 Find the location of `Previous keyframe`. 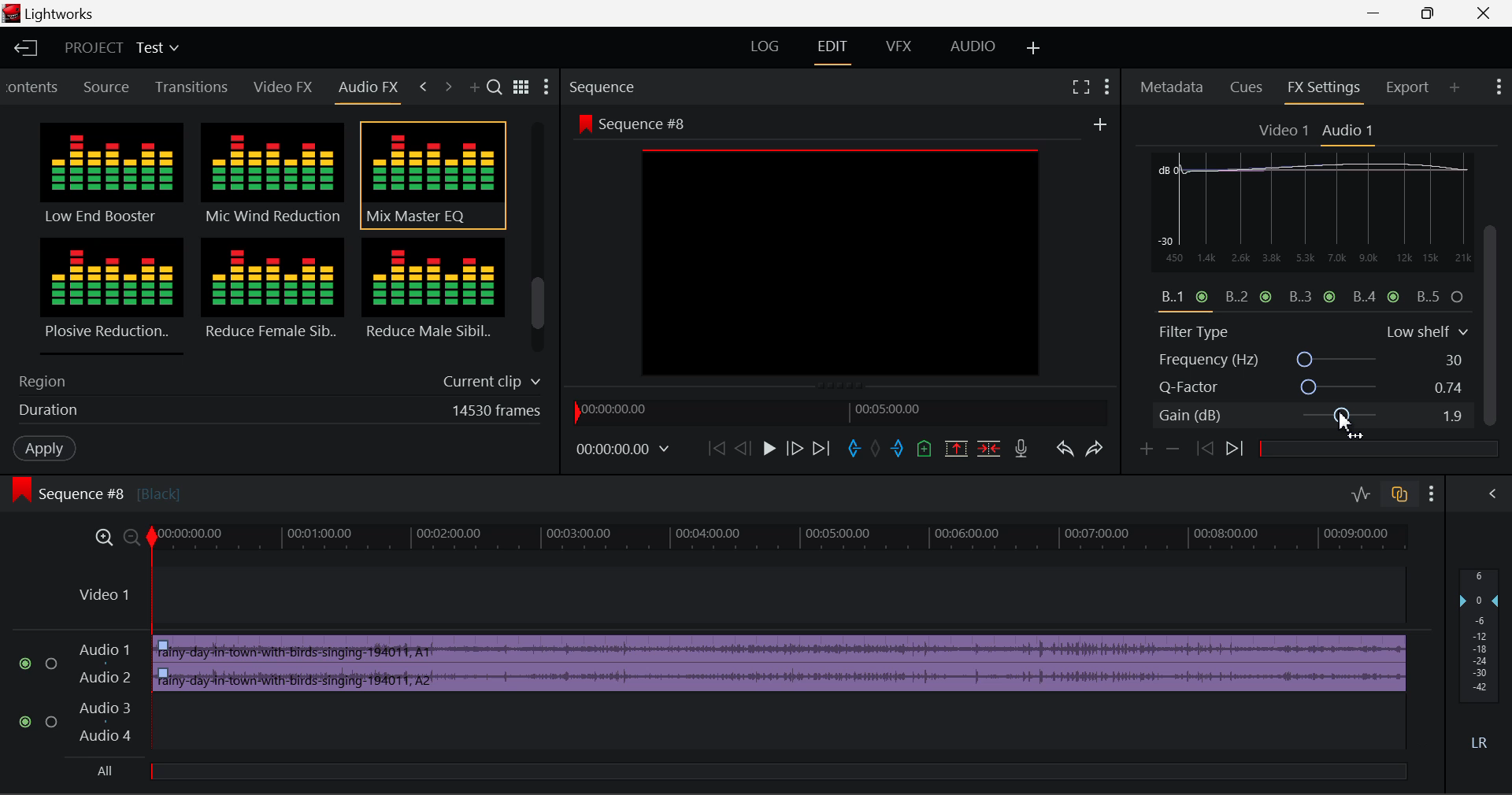

Previous keyframe is located at coordinates (1208, 449).